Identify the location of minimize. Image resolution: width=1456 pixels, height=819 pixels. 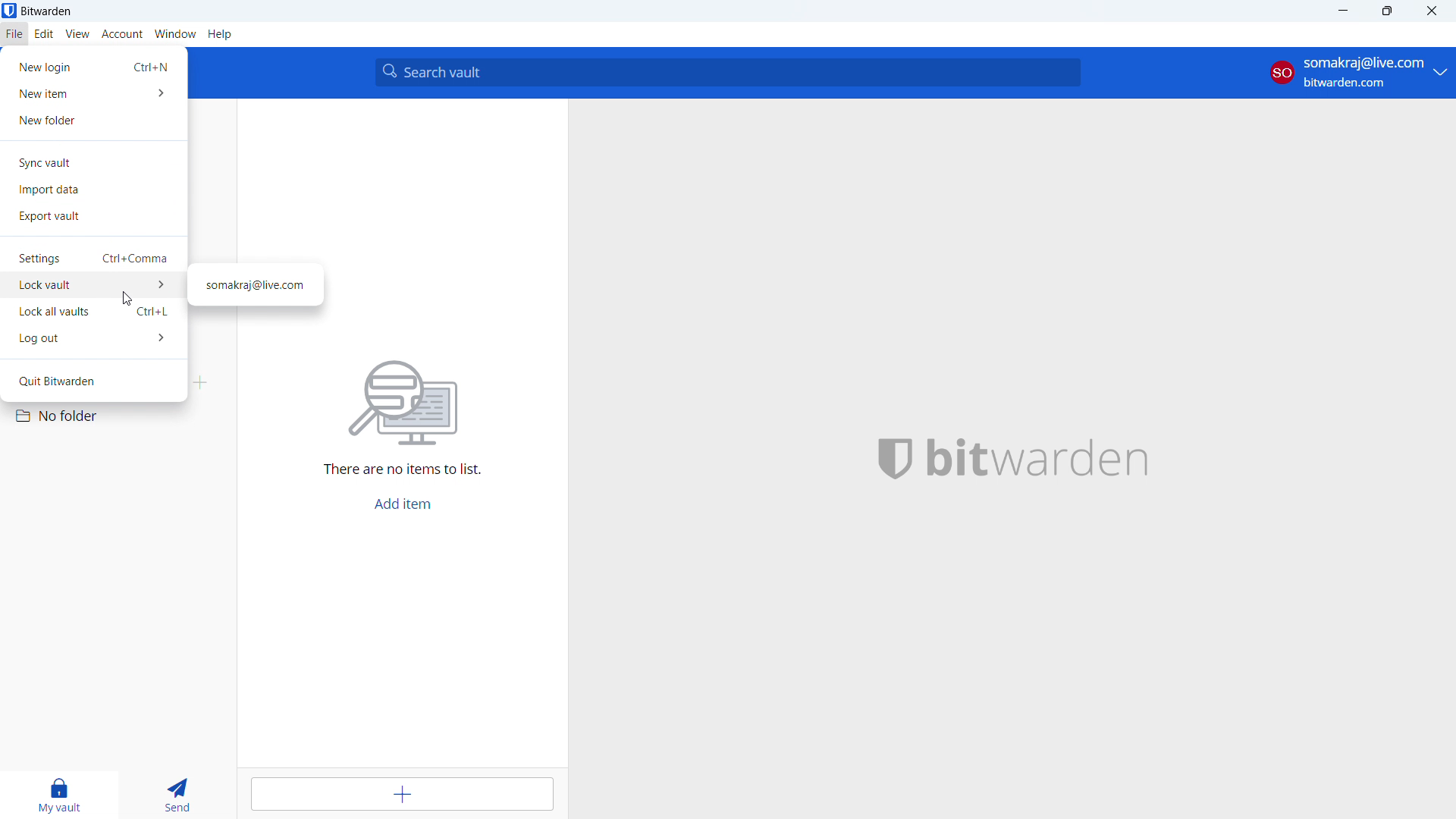
(1346, 11).